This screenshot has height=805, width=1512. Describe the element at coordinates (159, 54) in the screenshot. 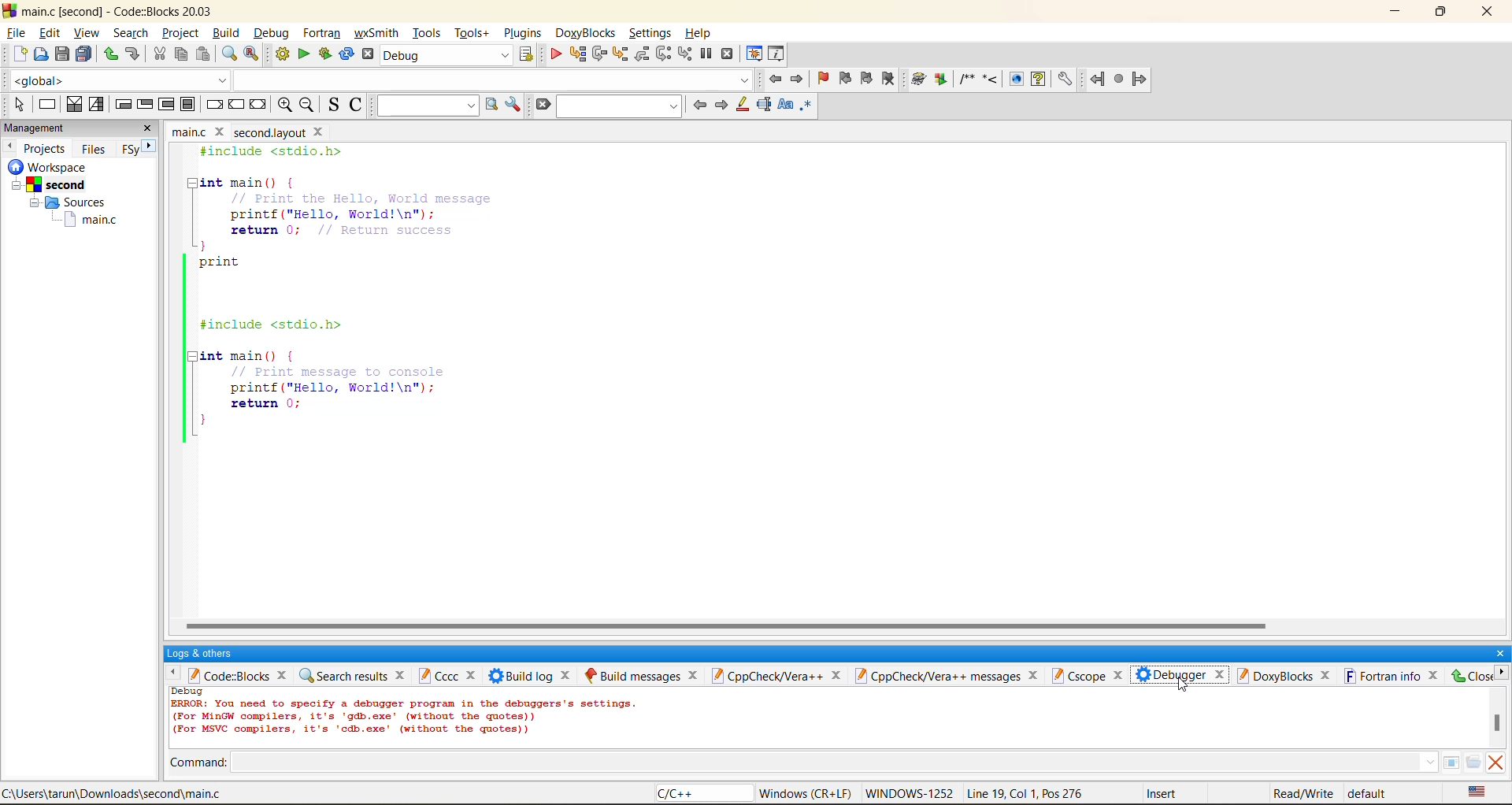

I see `cut` at that location.